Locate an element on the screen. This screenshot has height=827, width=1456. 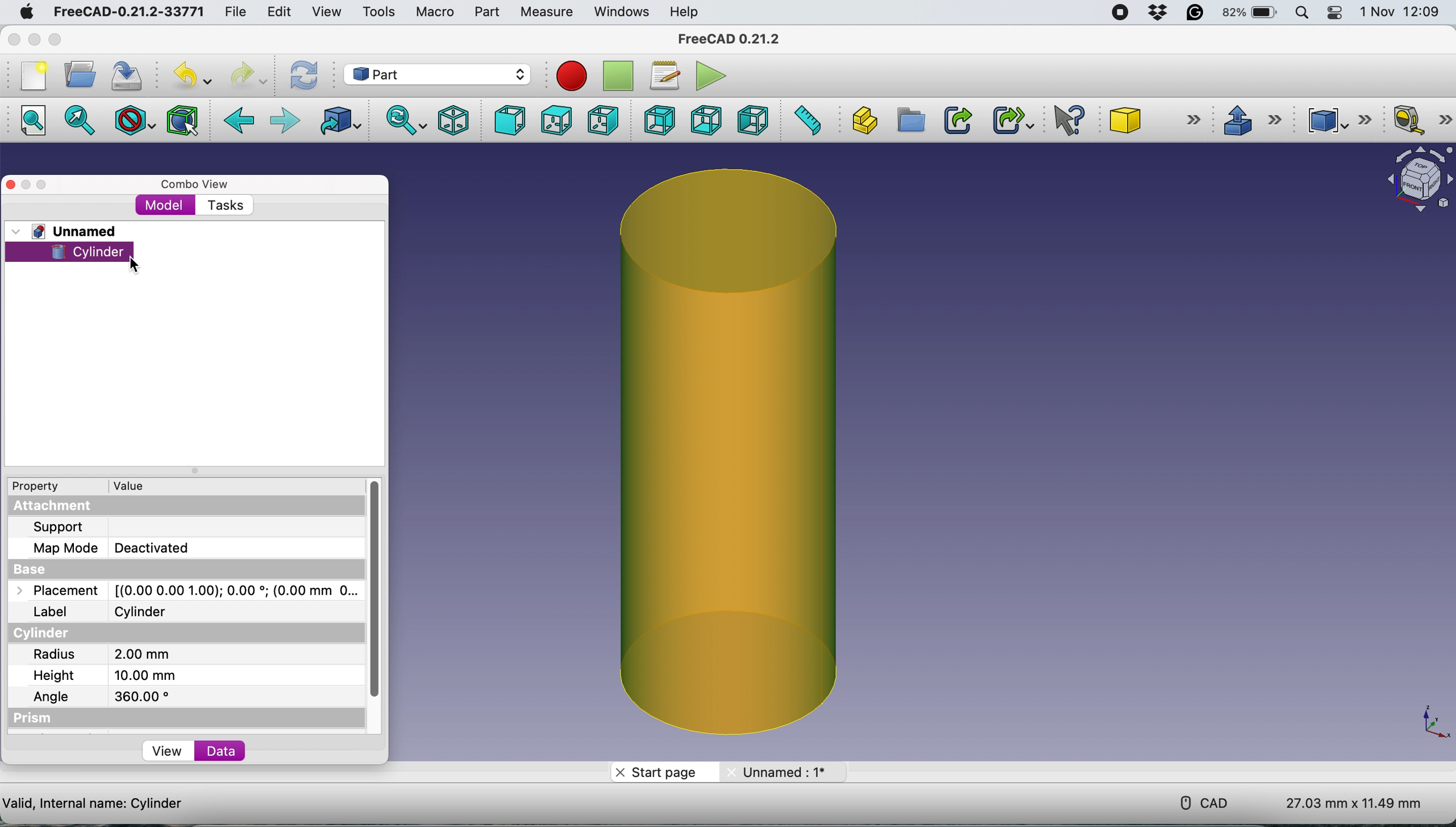
back is located at coordinates (240, 120).